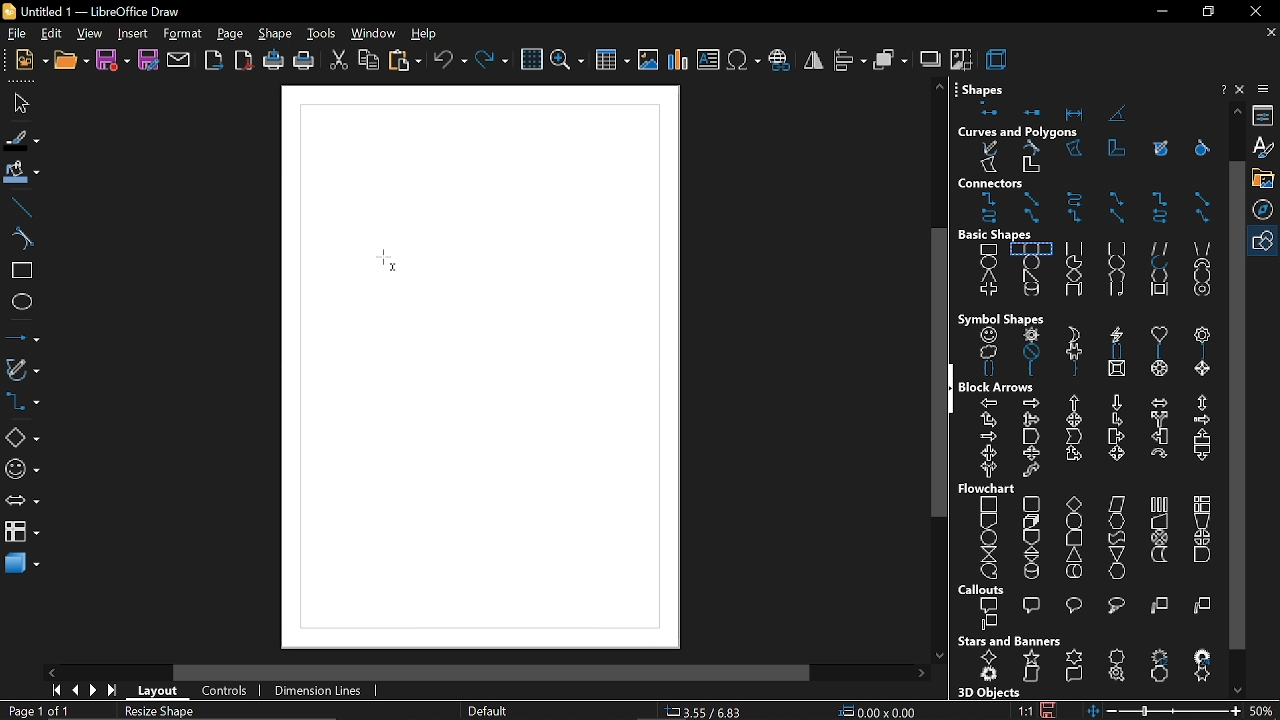 This screenshot has height=720, width=1280. Describe the element at coordinates (22, 272) in the screenshot. I see `rectangle` at that location.